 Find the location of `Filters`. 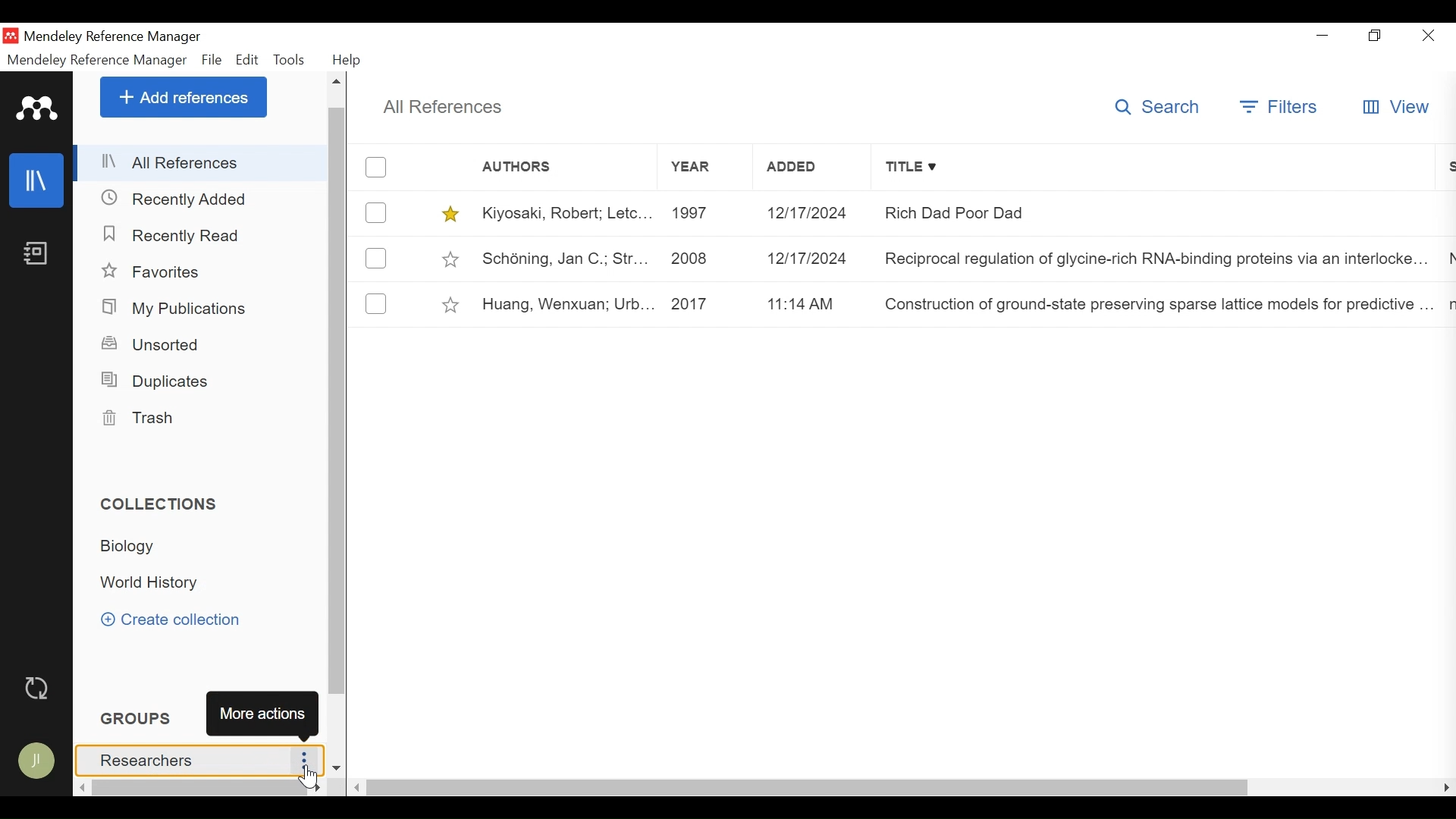

Filters is located at coordinates (1278, 106).